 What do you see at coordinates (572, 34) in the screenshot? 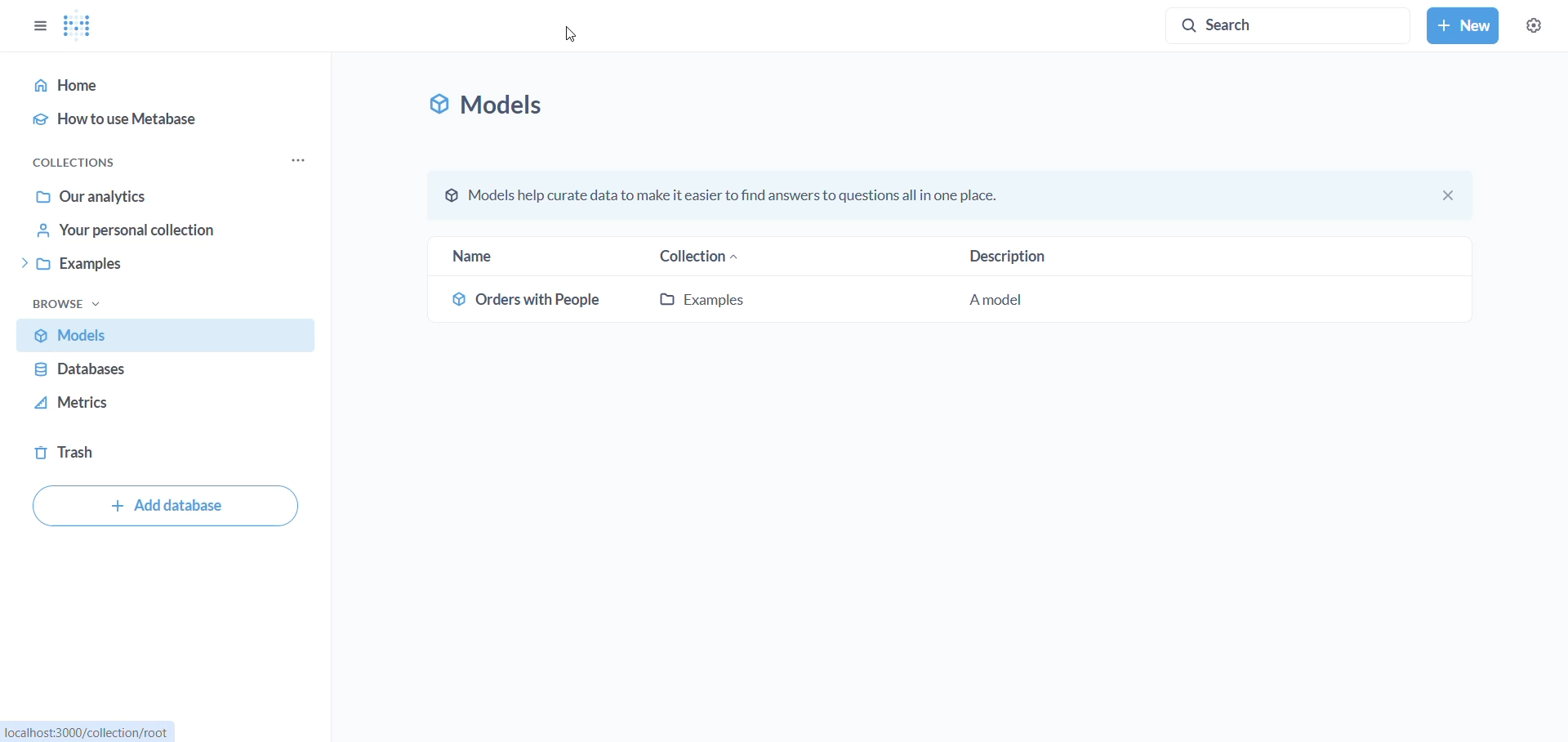
I see `cursor` at bounding box center [572, 34].